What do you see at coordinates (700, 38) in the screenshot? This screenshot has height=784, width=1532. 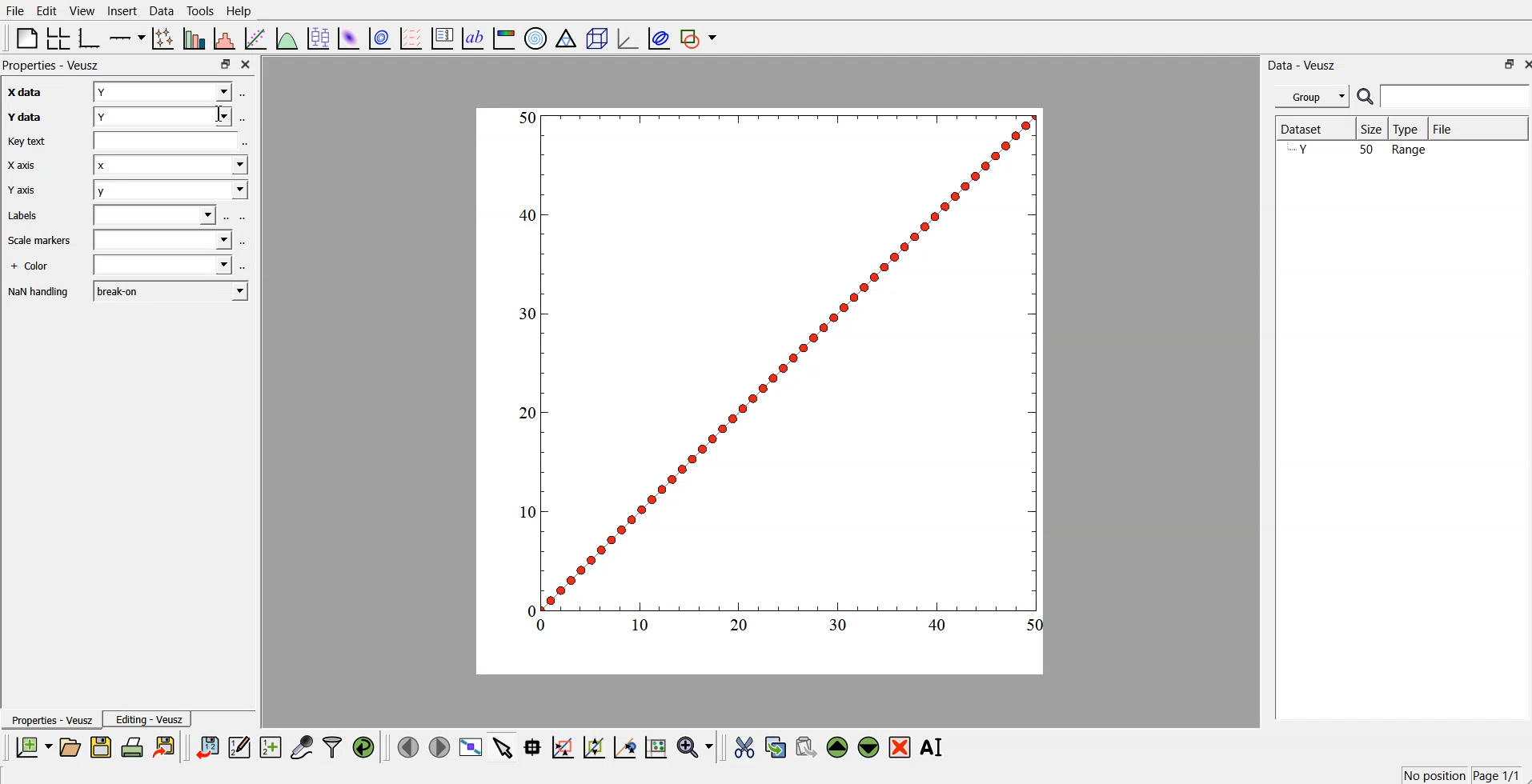 I see `add a shape` at bounding box center [700, 38].